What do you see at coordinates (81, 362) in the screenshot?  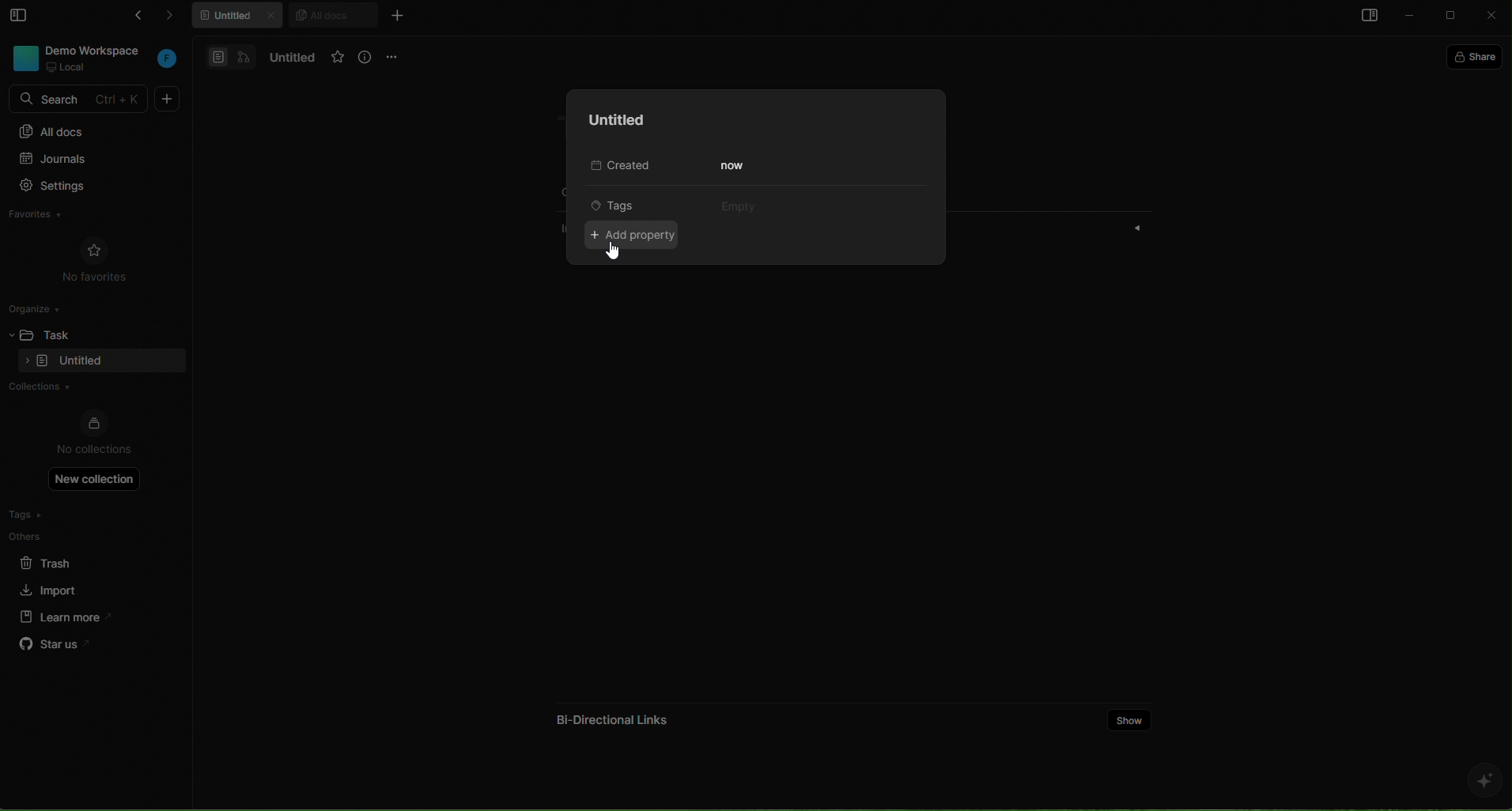 I see `empty folder` at bounding box center [81, 362].